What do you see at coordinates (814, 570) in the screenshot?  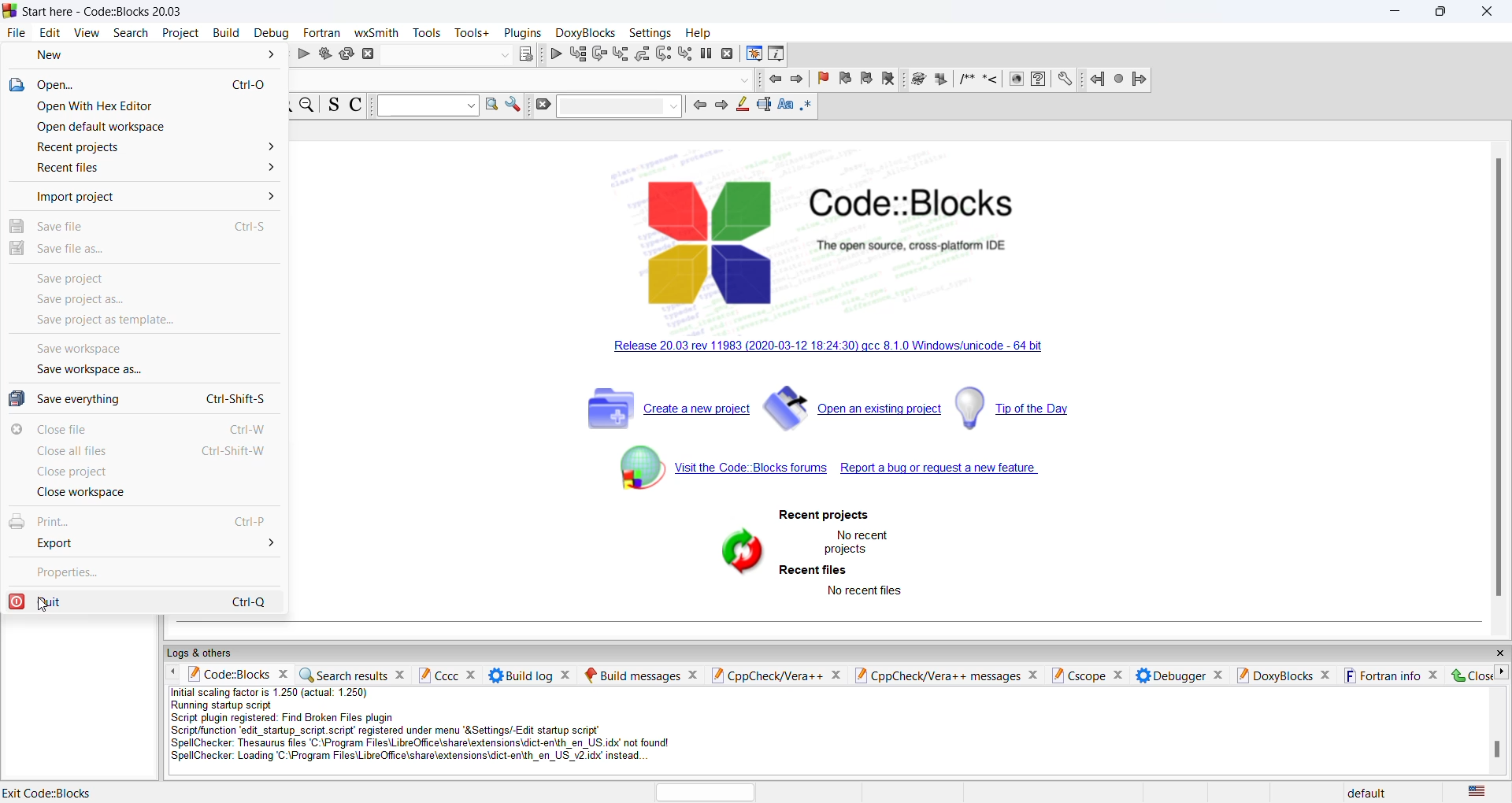 I see `recent files` at bounding box center [814, 570].